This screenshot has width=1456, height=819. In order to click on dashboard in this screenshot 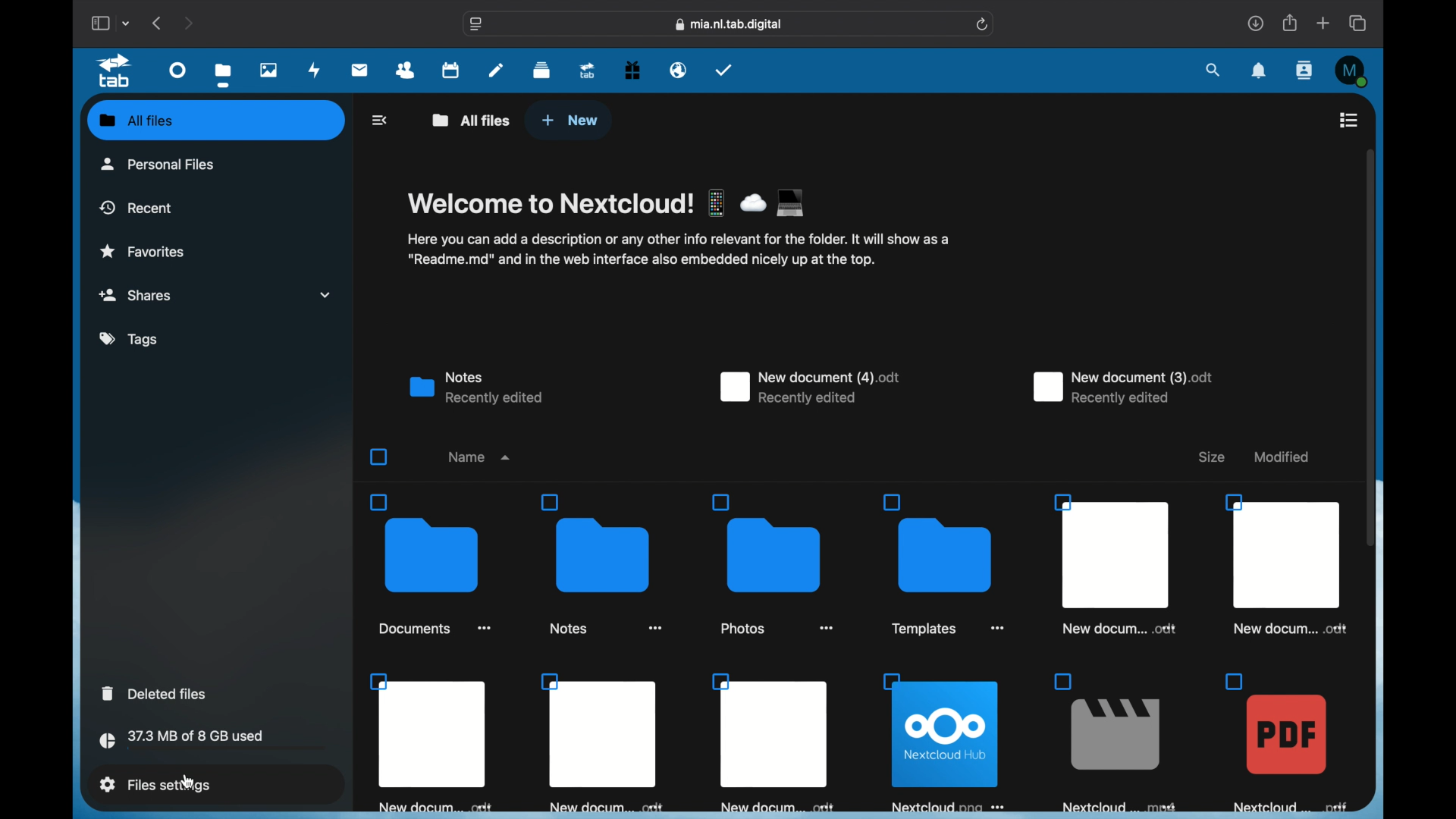, I will do `click(178, 69)`.